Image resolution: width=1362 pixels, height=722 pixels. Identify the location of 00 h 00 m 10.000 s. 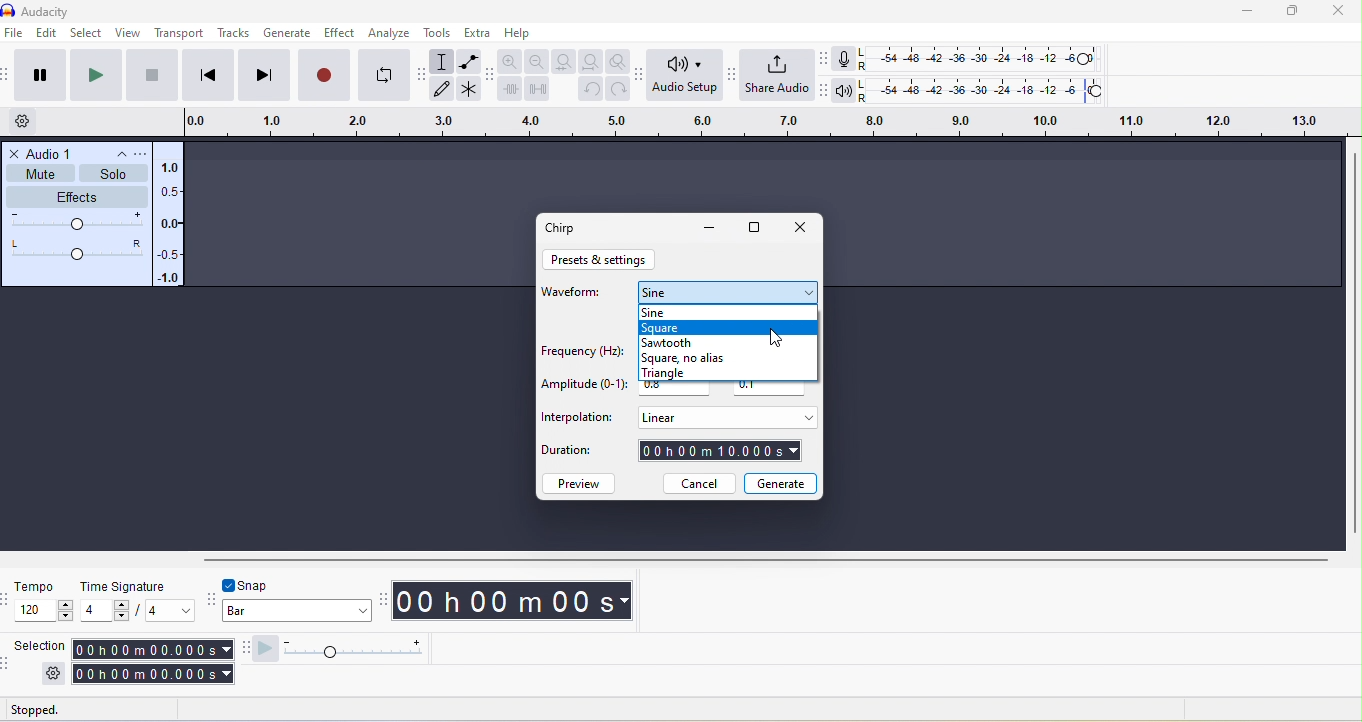
(721, 452).